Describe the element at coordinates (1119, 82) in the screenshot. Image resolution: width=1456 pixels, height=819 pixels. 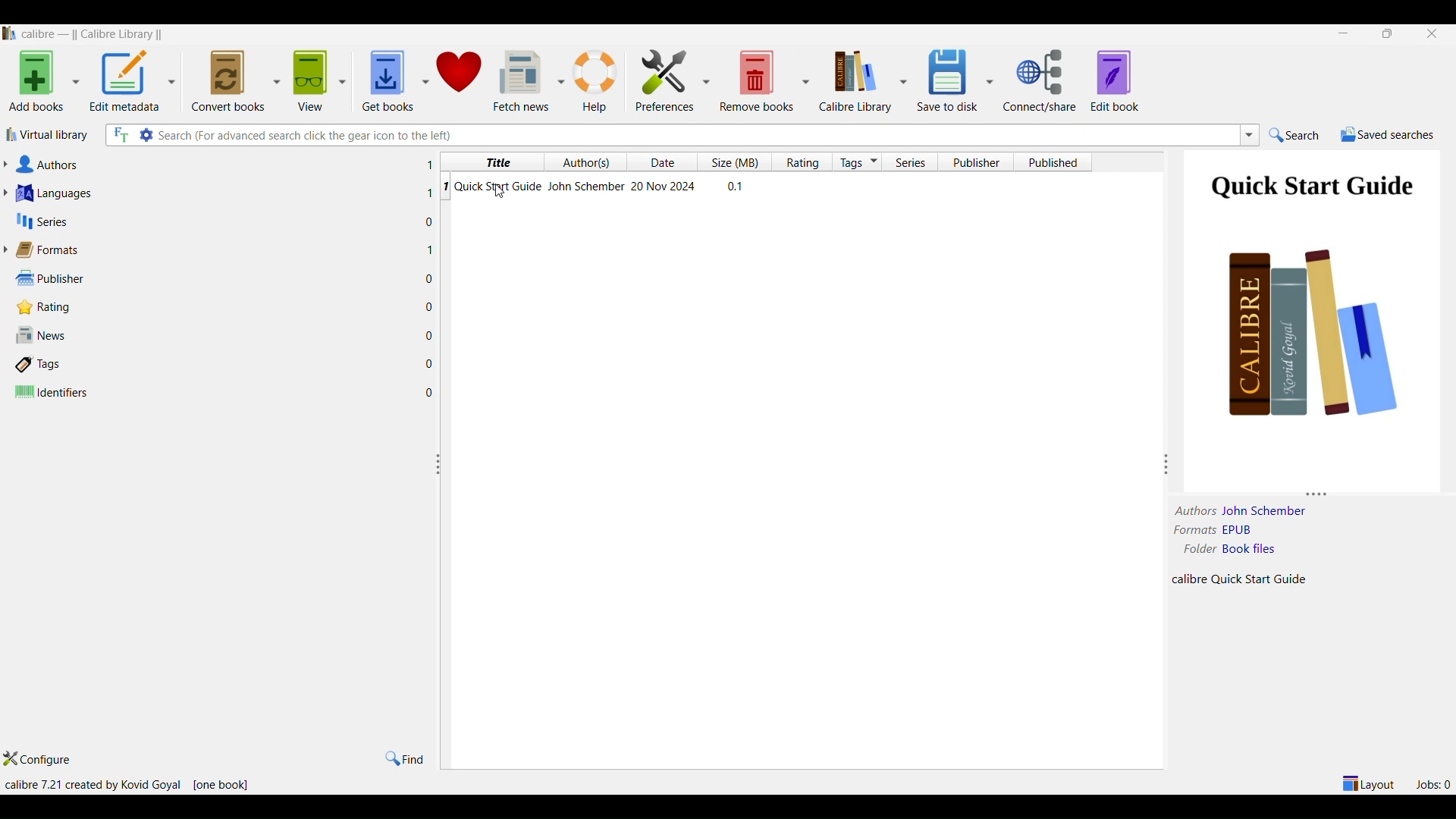
I see `edit book` at that location.